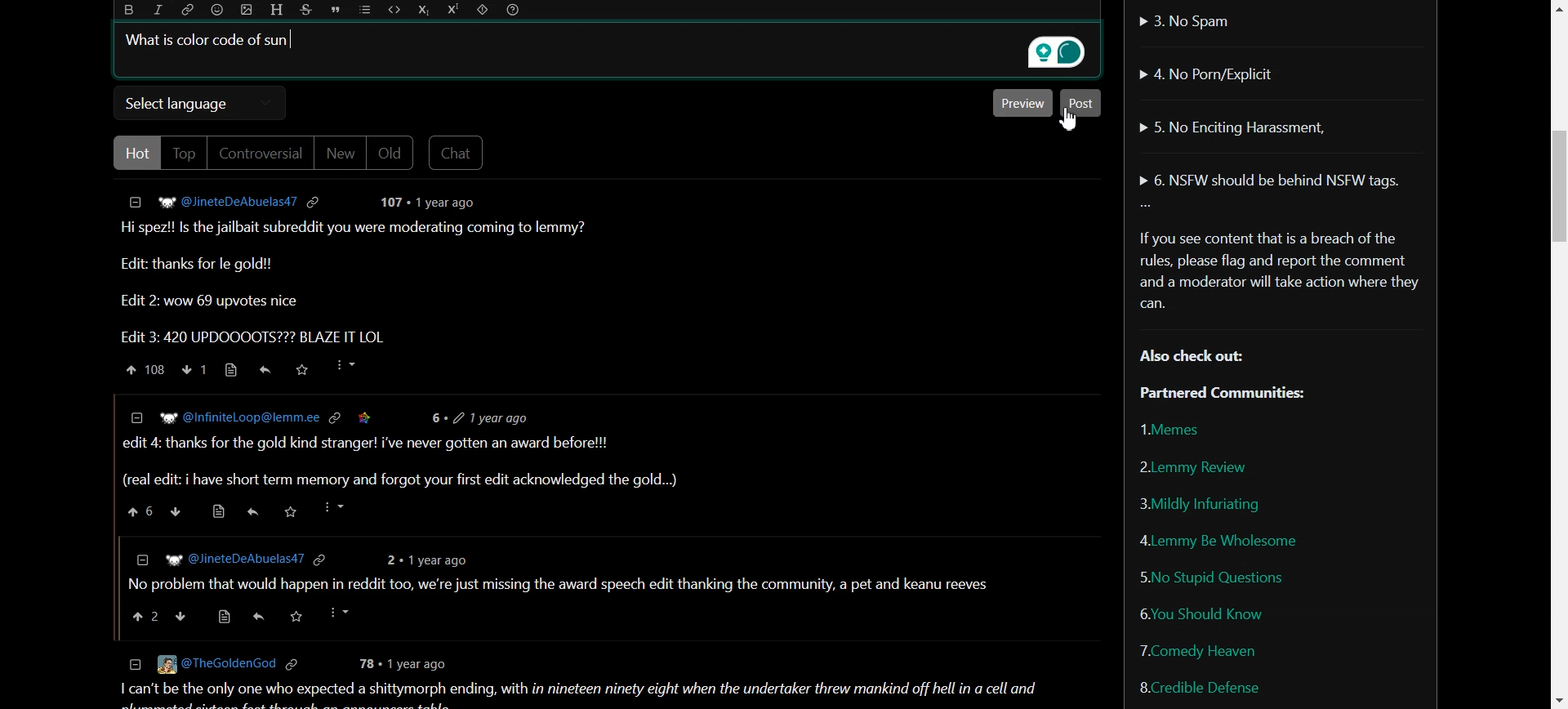 Image resolution: width=1568 pixels, height=709 pixels. Describe the element at coordinates (1197, 650) in the screenshot. I see `Comedy Heaven` at that location.